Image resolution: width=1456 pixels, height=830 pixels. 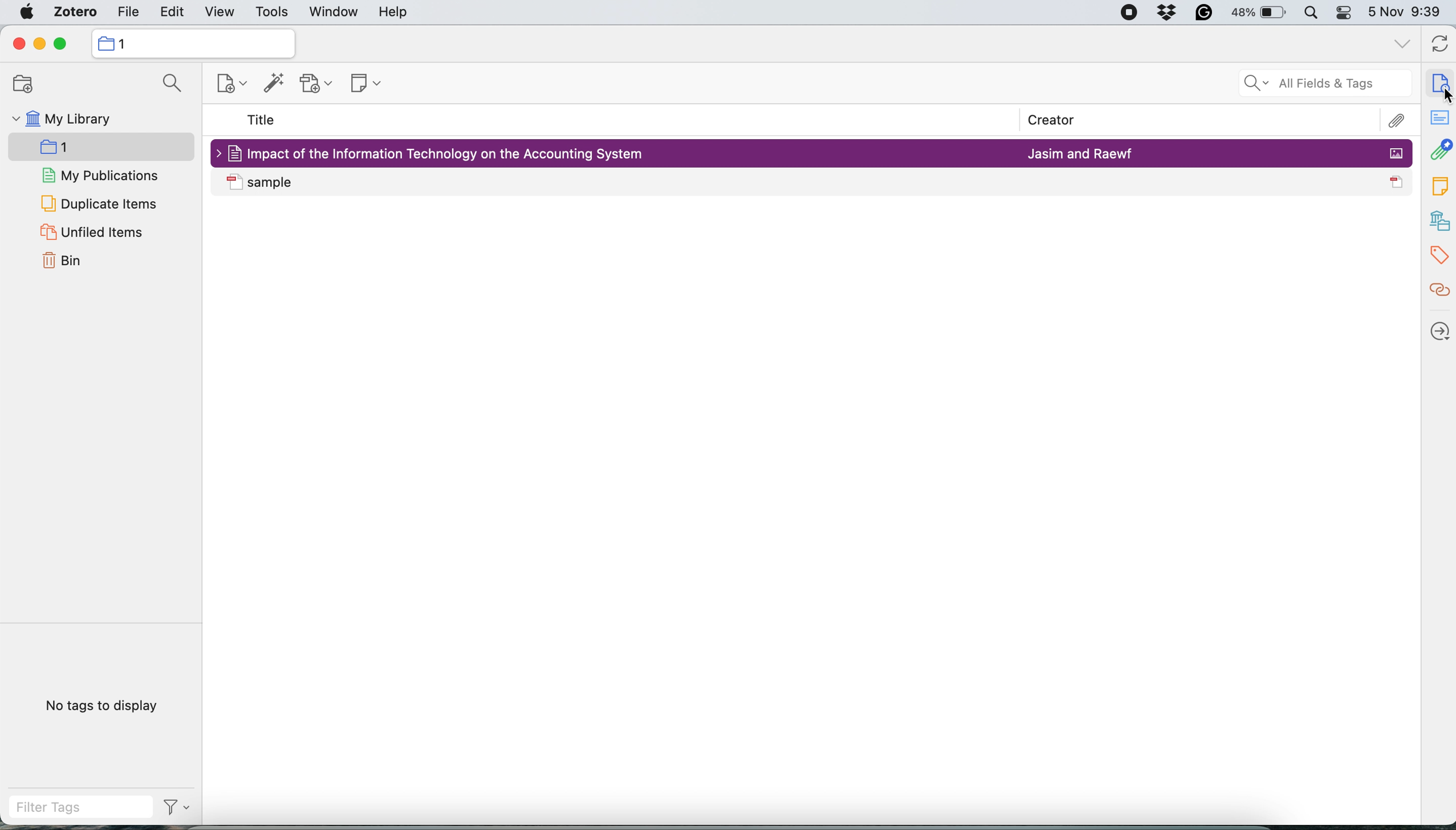 What do you see at coordinates (61, 44) in the screenshot?
I see `maximise` at bounding box center [61, 44].